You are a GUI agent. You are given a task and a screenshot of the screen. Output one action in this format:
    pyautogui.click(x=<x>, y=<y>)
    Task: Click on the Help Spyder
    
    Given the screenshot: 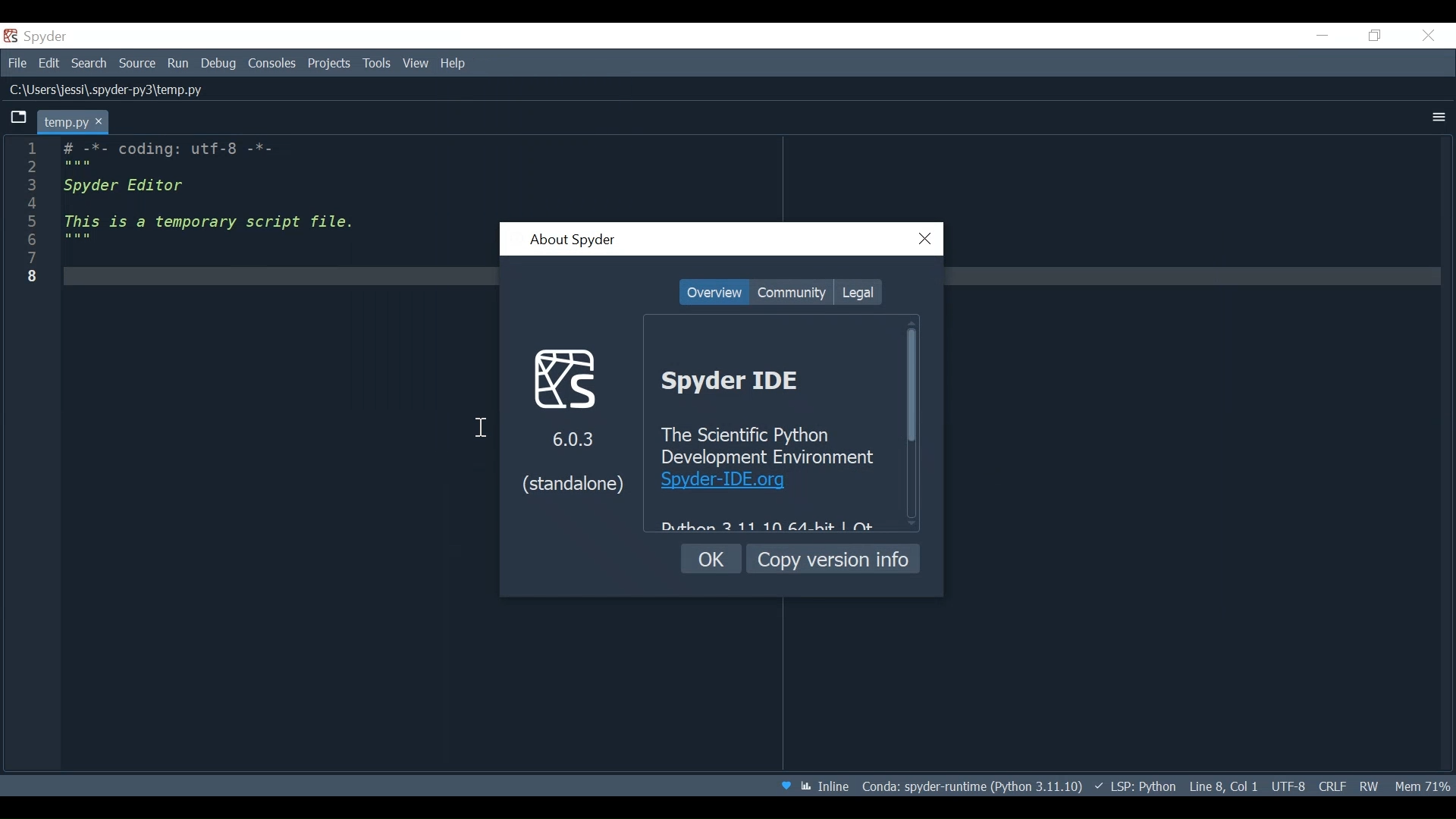 What is the action you would take?
    pyautogui.click(x=786, y=786)
    